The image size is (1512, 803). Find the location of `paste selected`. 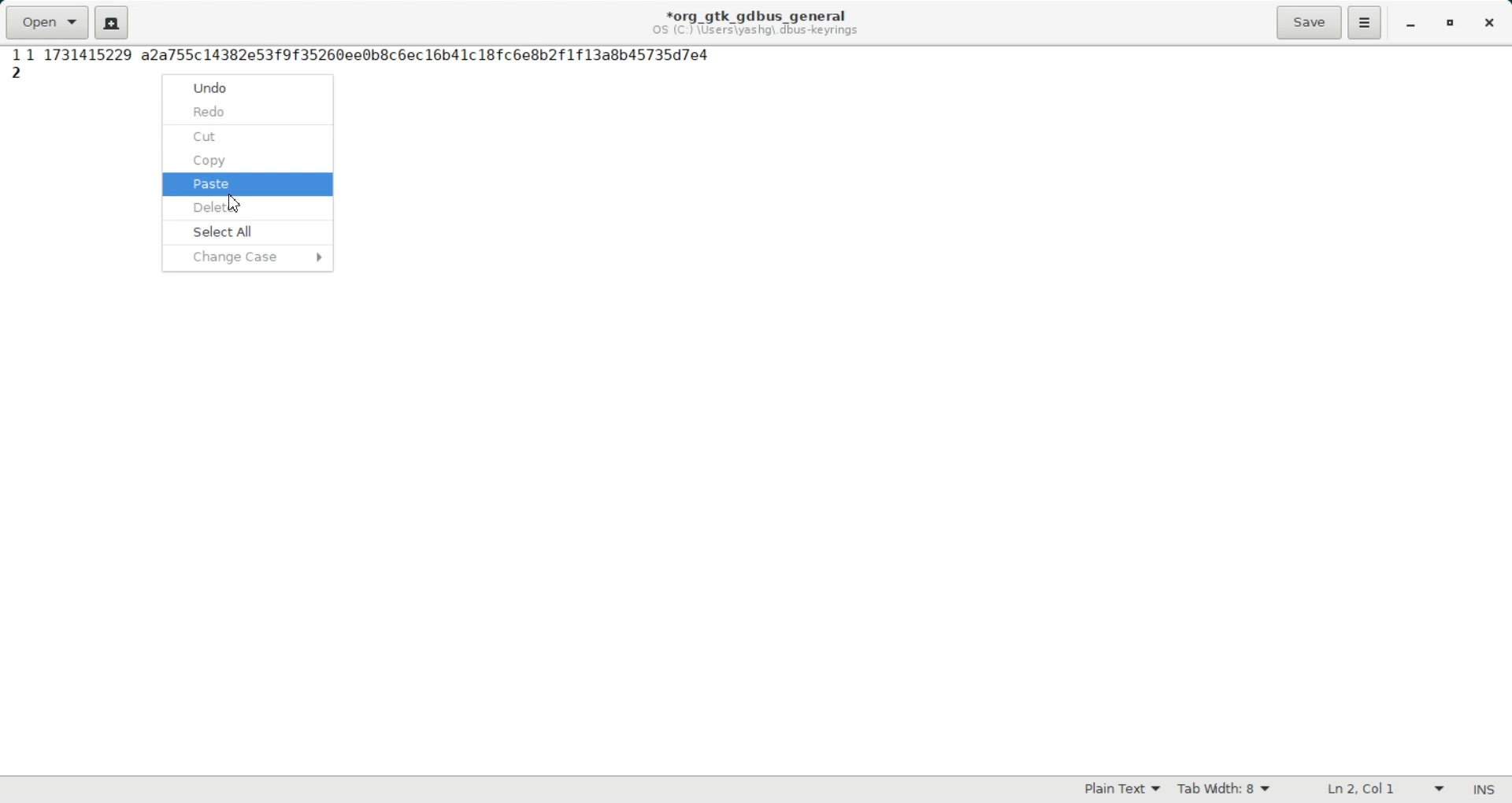

paste selected is located at coordinates (245, 184).